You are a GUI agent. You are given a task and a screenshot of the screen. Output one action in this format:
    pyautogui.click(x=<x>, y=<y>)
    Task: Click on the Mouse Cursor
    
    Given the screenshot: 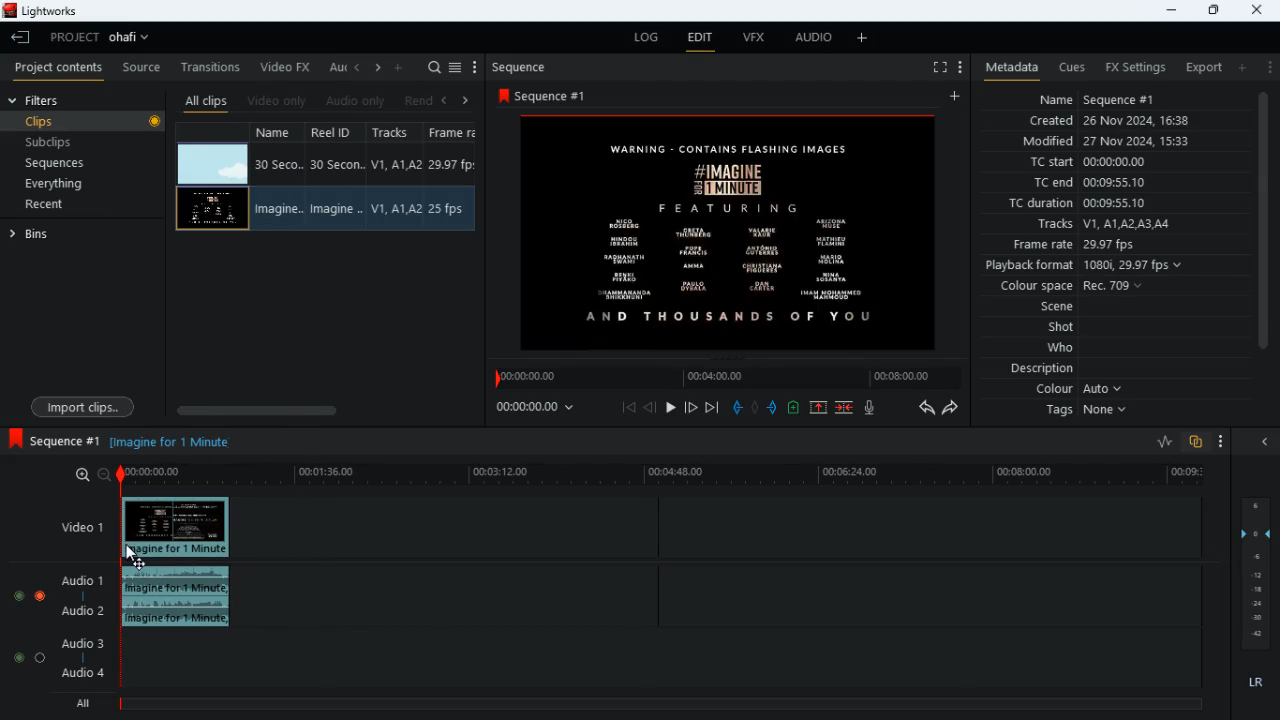 What is the action you would take?
    pyautogui.click(x=132, y=556)
    